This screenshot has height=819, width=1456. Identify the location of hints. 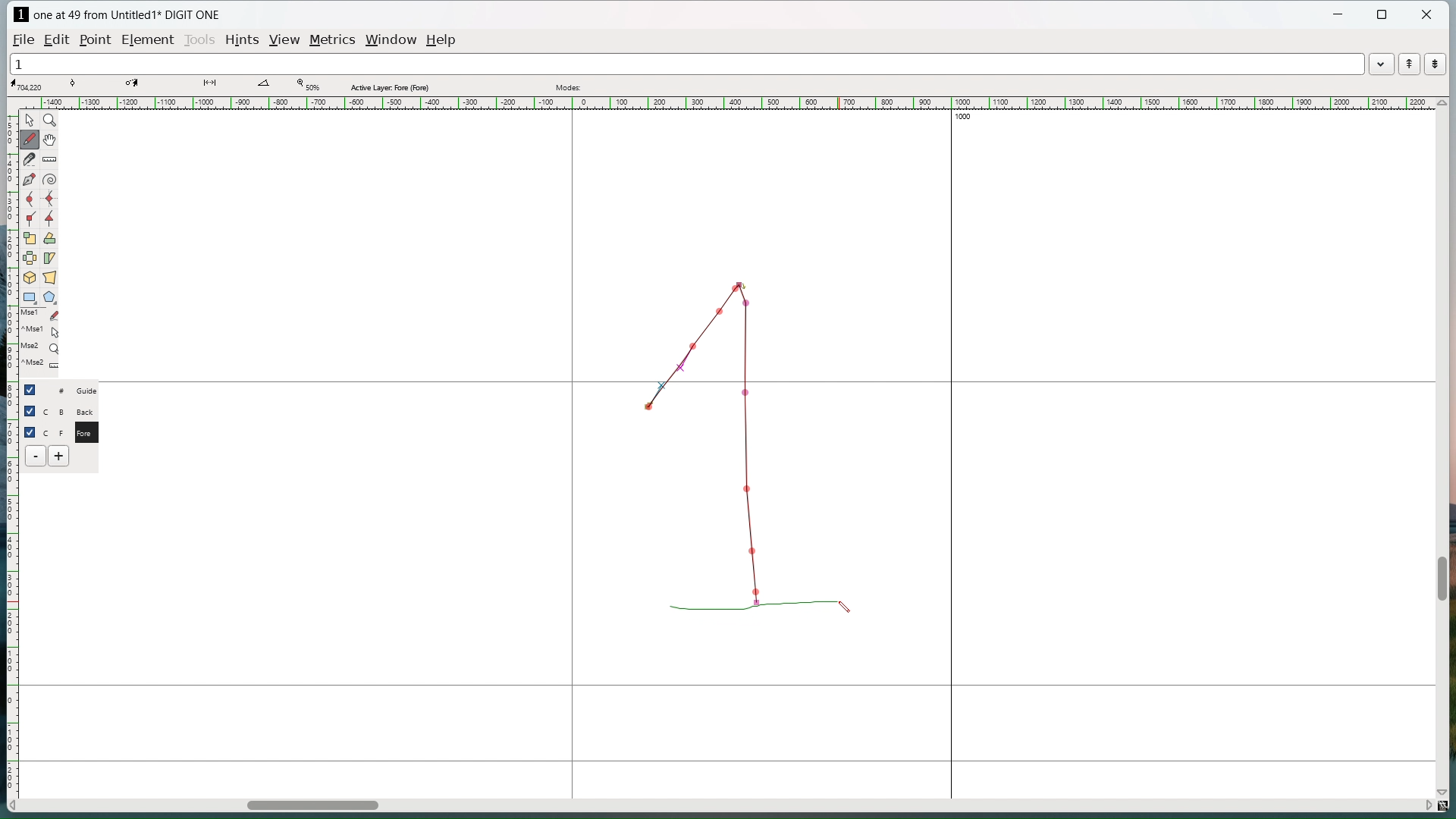
(243, 41).